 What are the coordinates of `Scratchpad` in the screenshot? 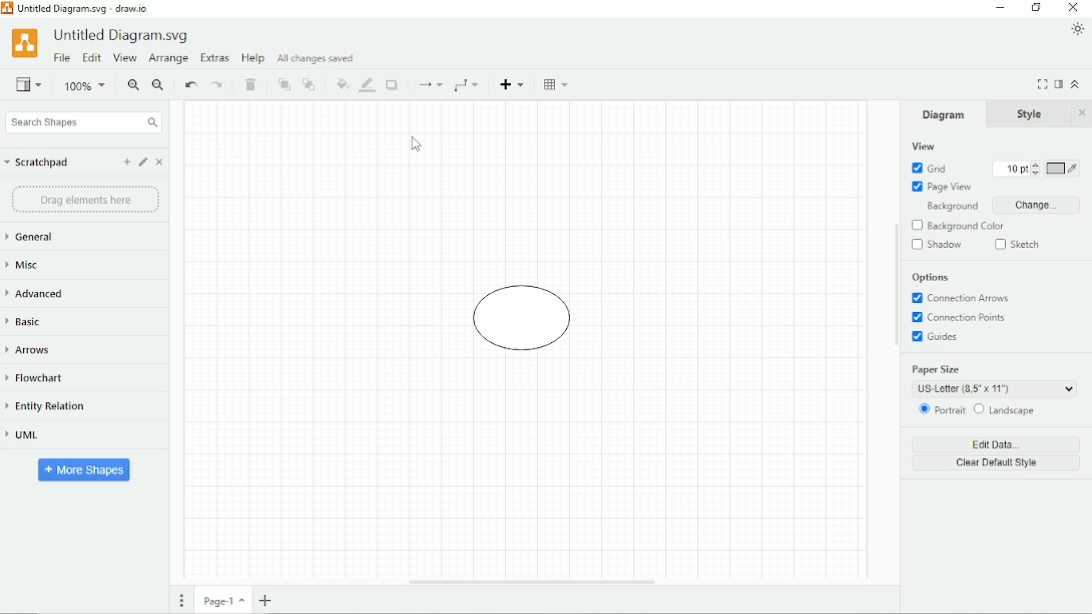 It's located at (36, 163).